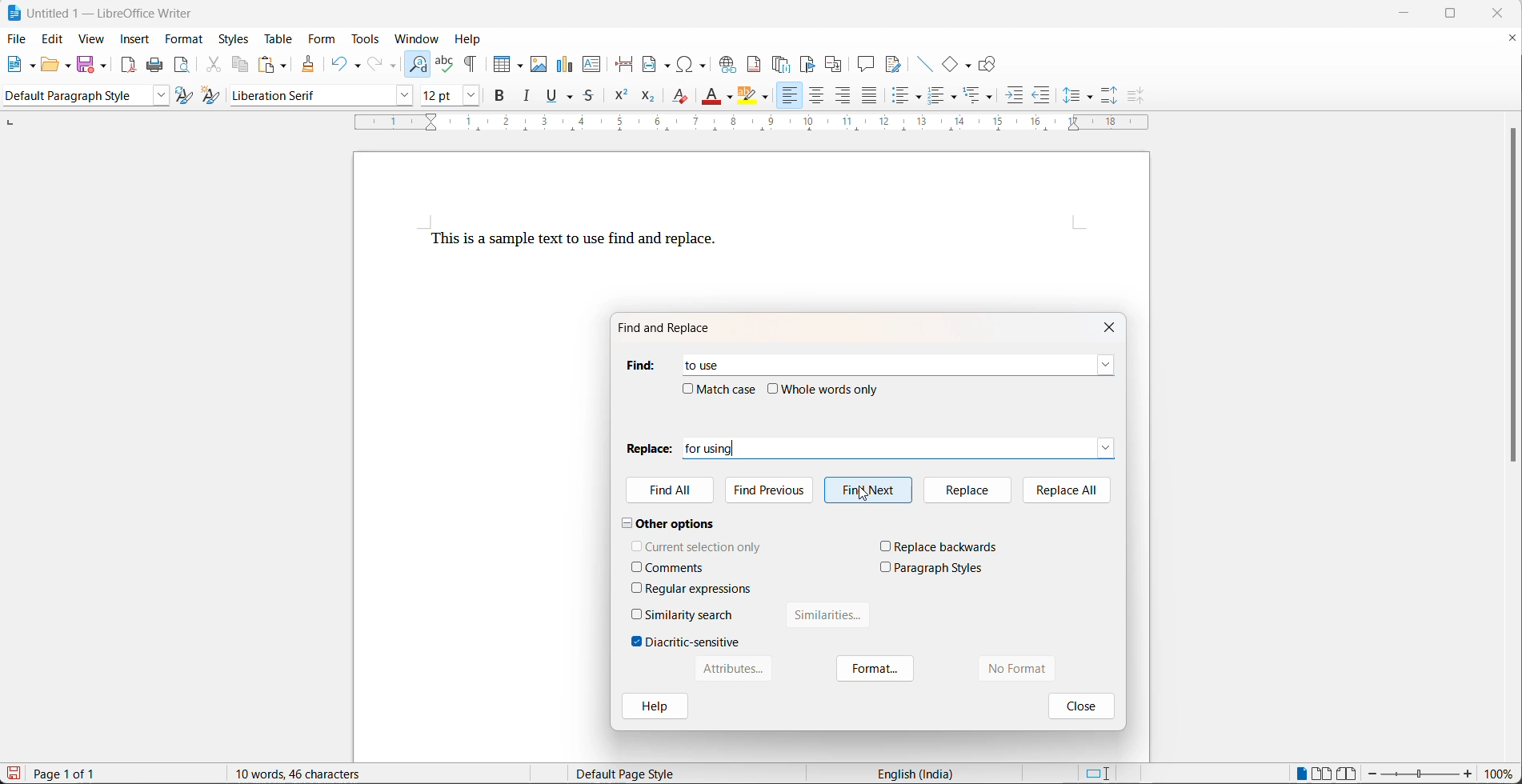  I want to click on line spacing, so click(1091, 98).